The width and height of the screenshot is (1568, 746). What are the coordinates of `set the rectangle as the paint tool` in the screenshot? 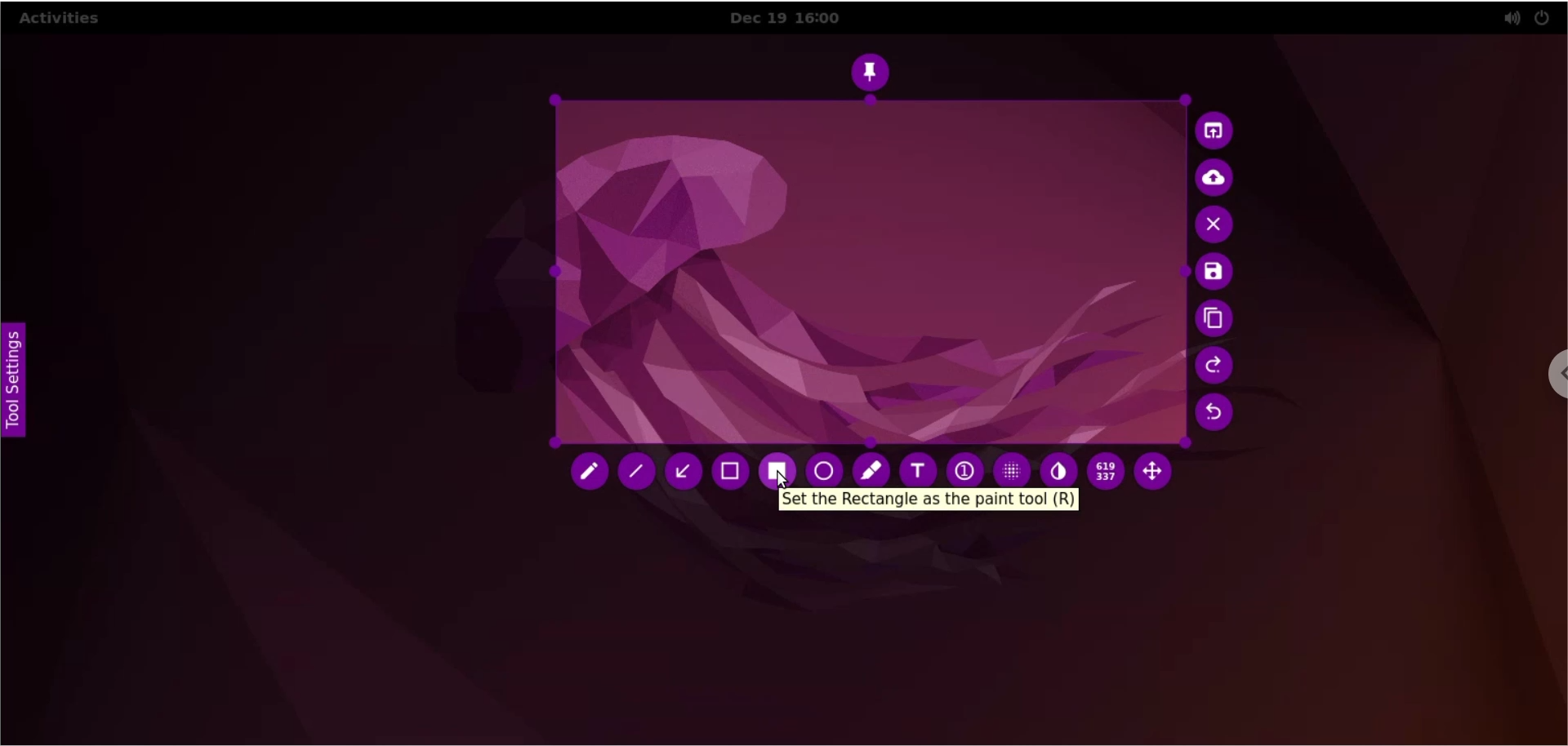 It's located at (928, 500).